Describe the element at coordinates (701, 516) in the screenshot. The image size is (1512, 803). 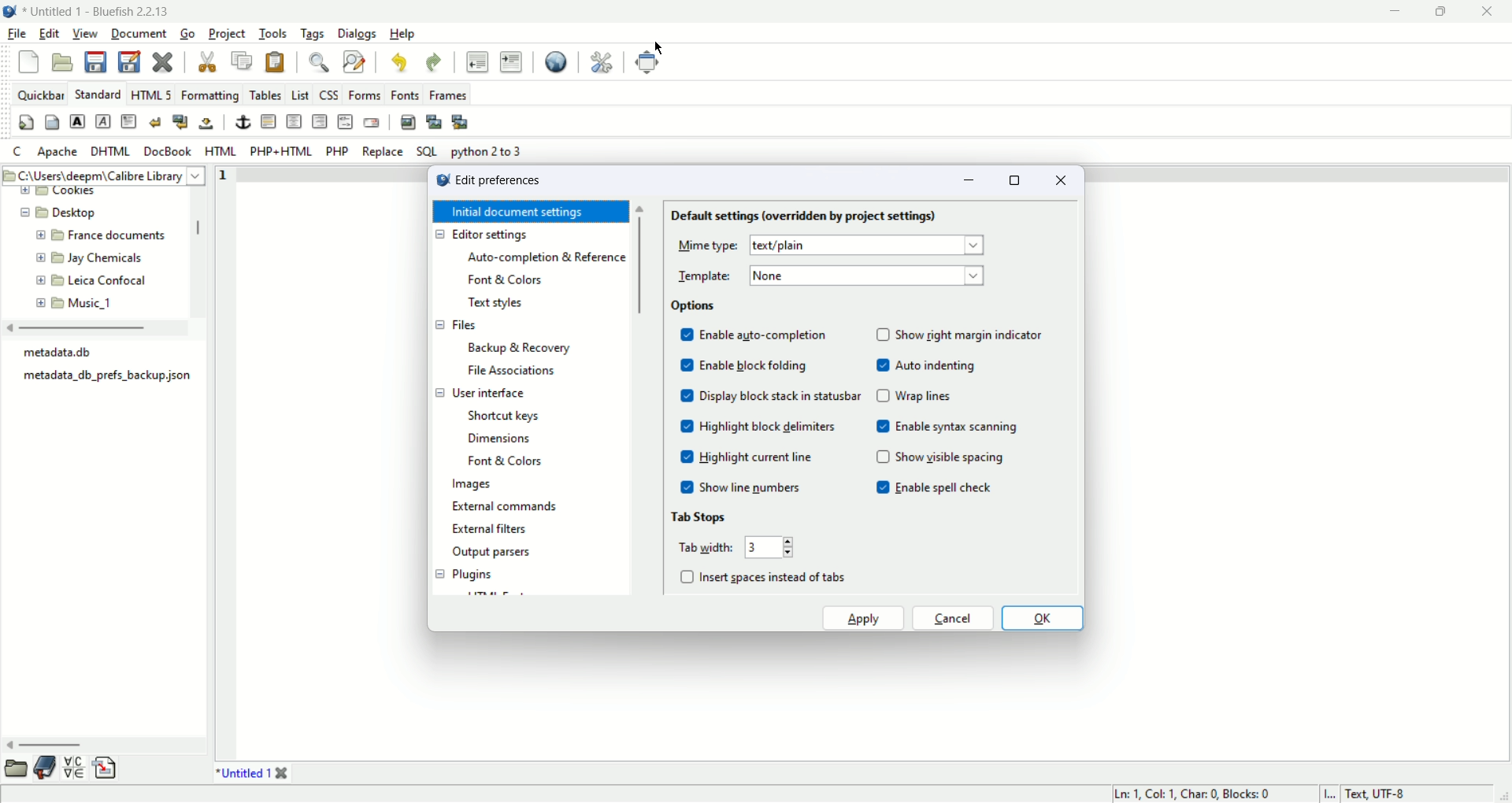
I see `tab stops` at that location.